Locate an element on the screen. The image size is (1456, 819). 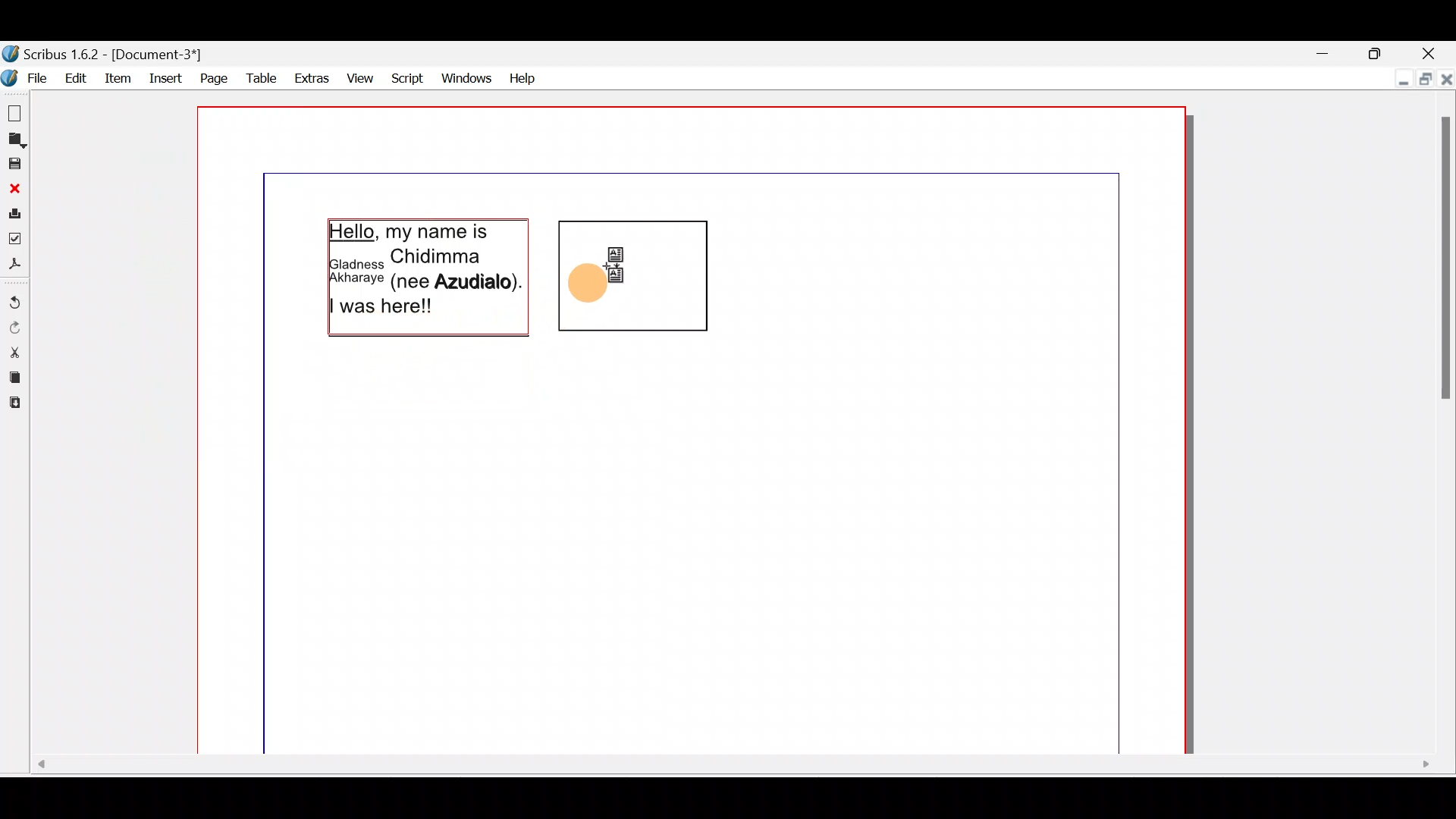
Script is located at coordinates (408, 76).